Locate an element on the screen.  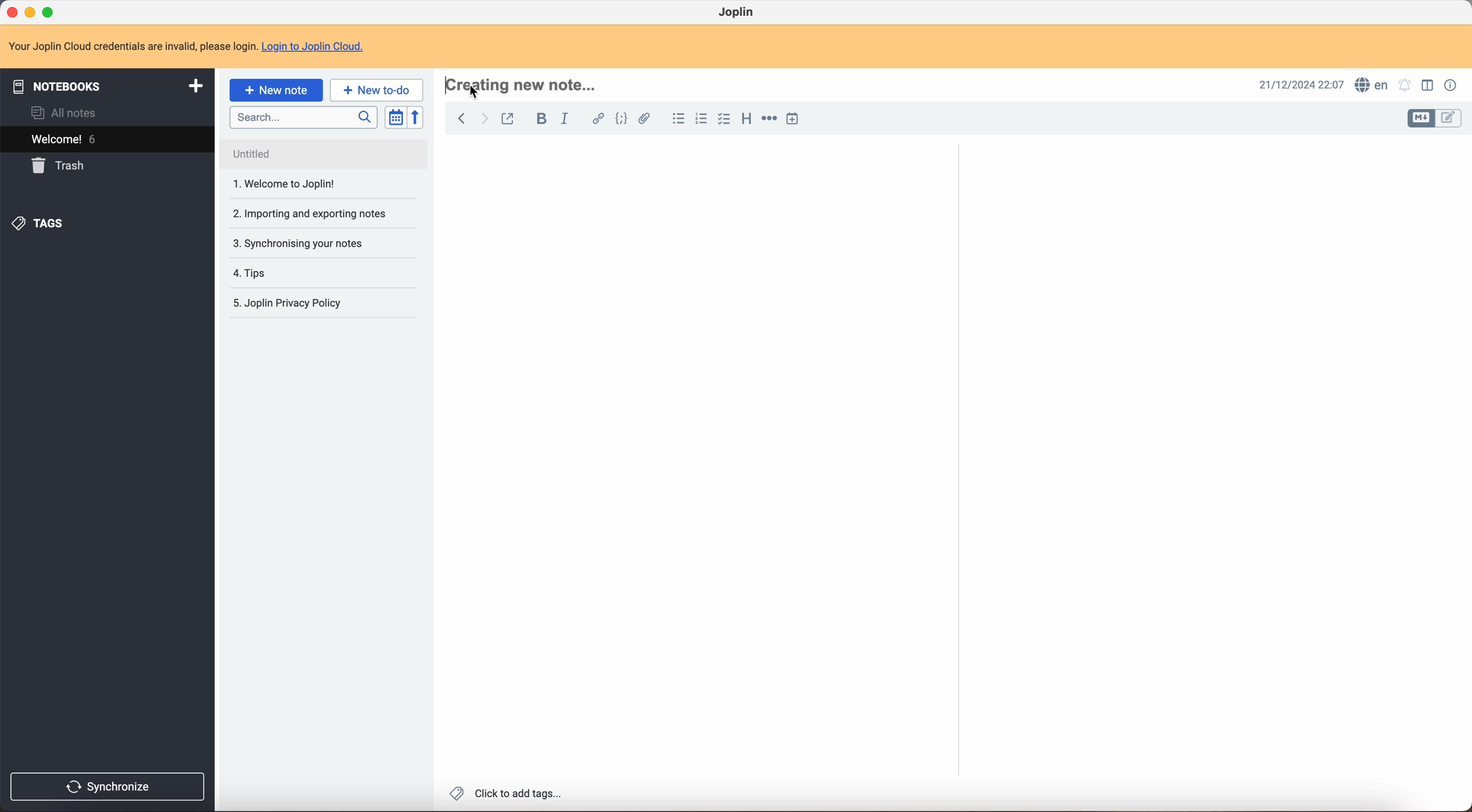
foward is located at coordinates (485, 119).